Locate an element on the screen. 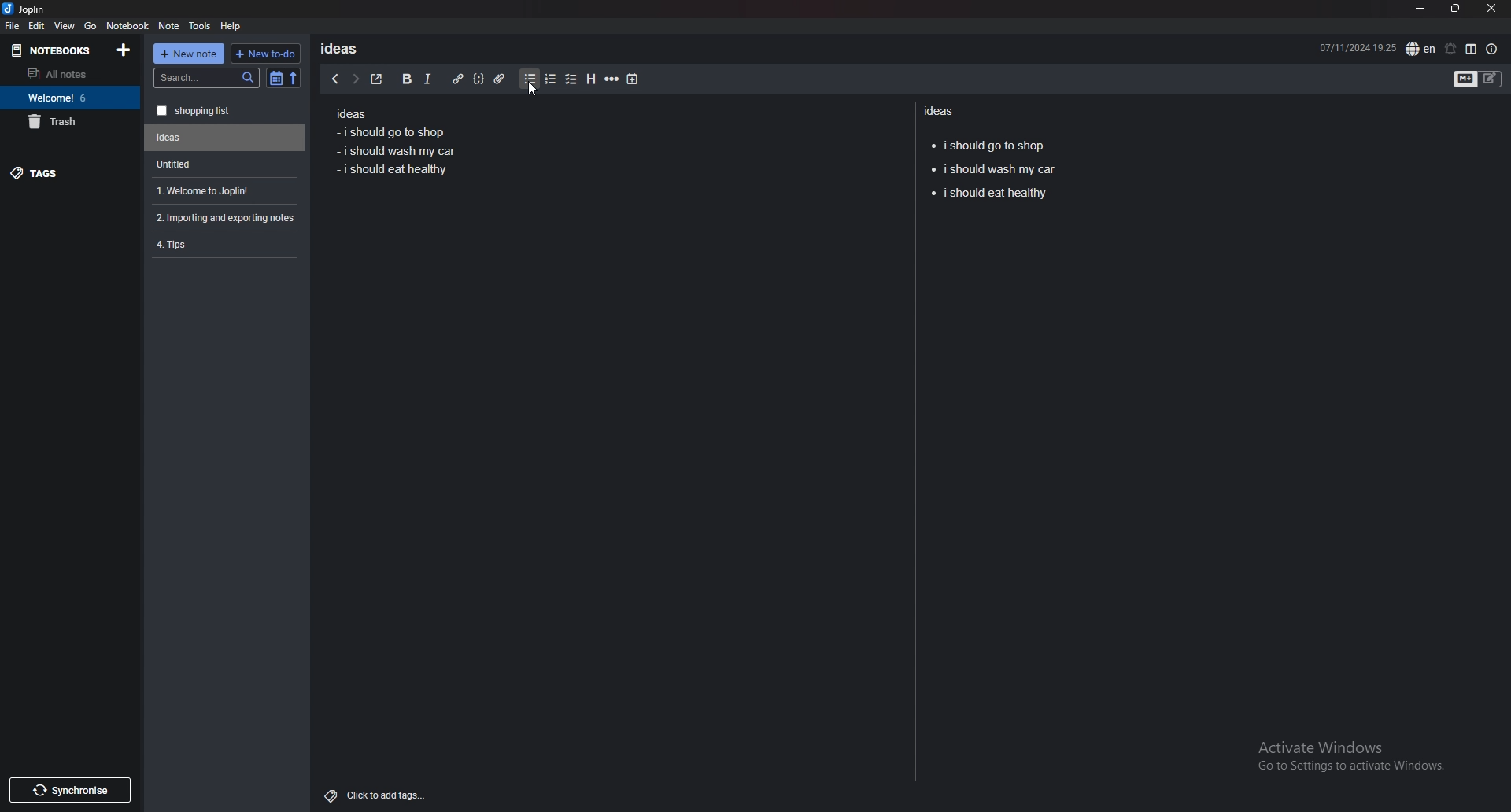 The image size is (1511, 812). cursor is located at coordinates (531, 91).